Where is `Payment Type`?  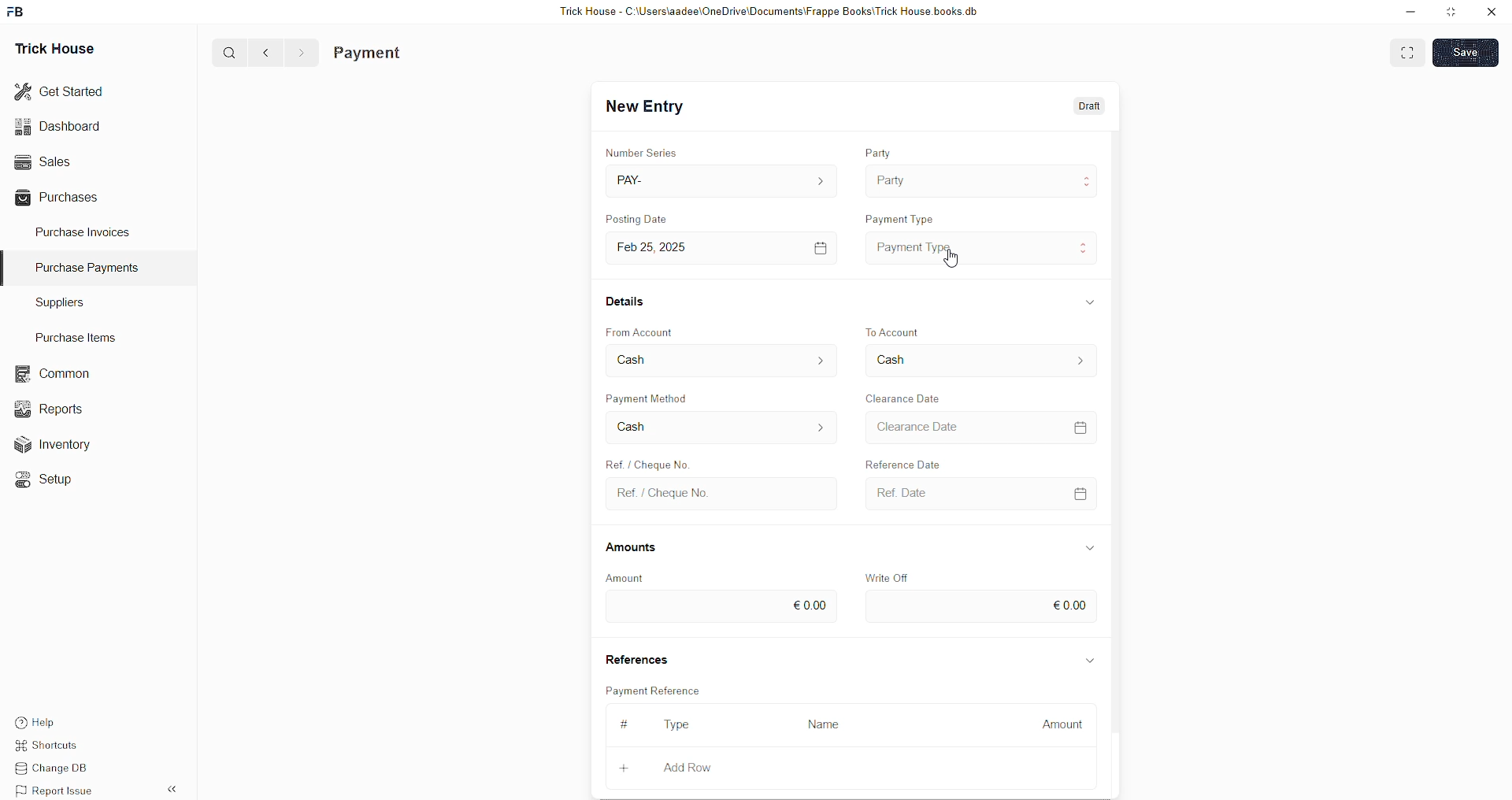 Payment Type is located at coordinates (919, 246).